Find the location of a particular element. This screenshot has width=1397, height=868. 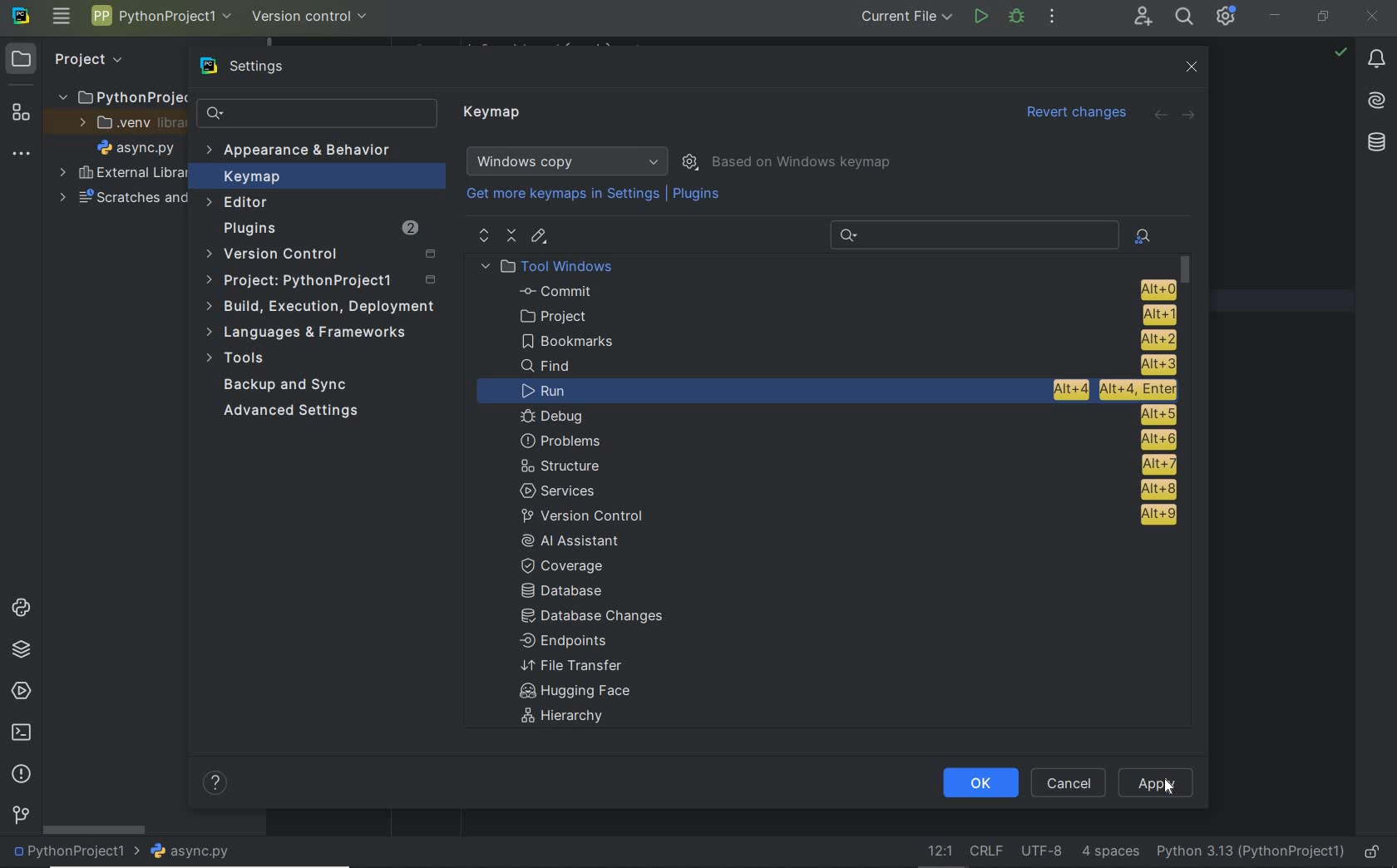

python consoles is located at coordinates (19, 608).